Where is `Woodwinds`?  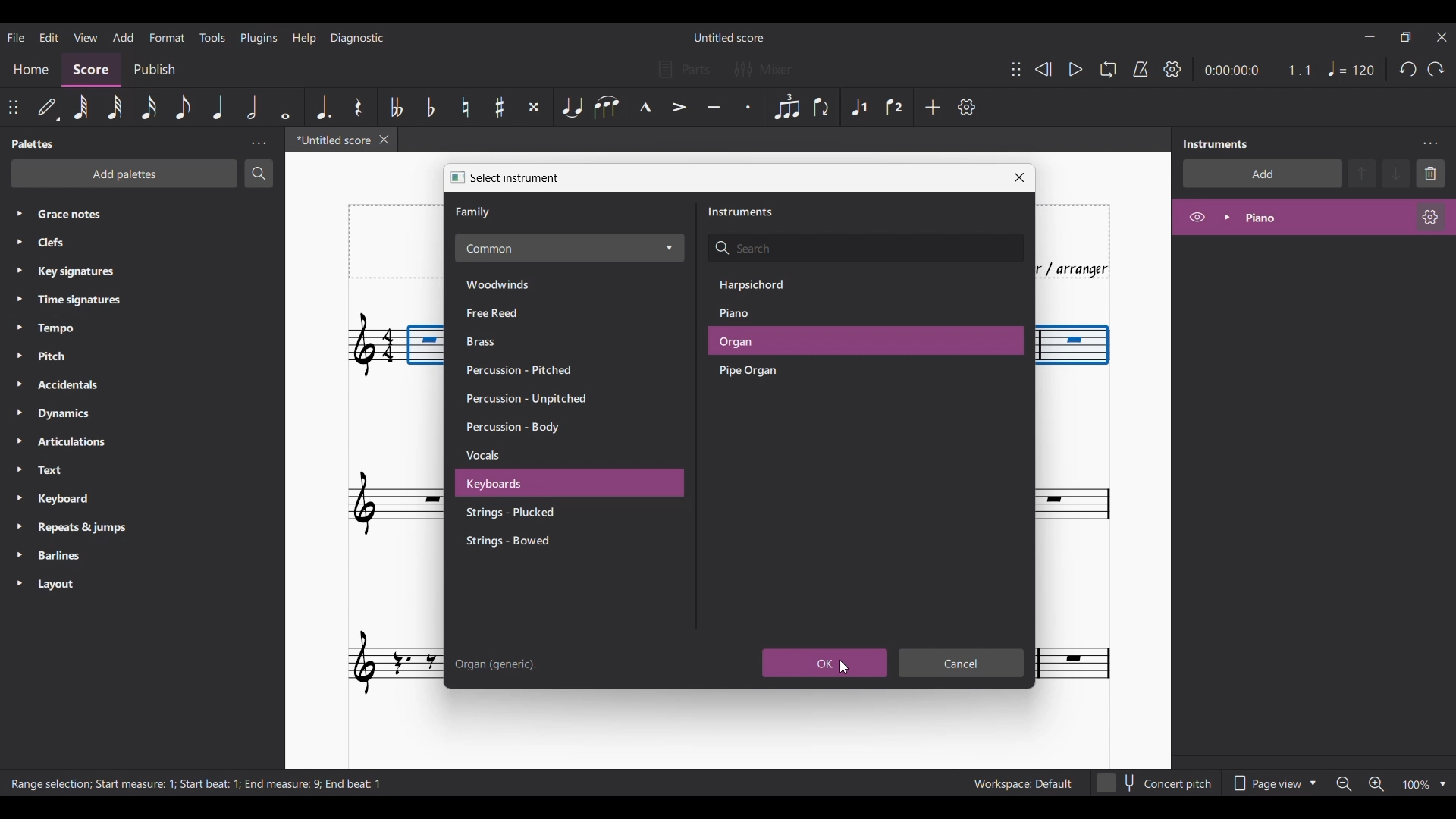
Woodwinds is located at coordinates (513, 283).